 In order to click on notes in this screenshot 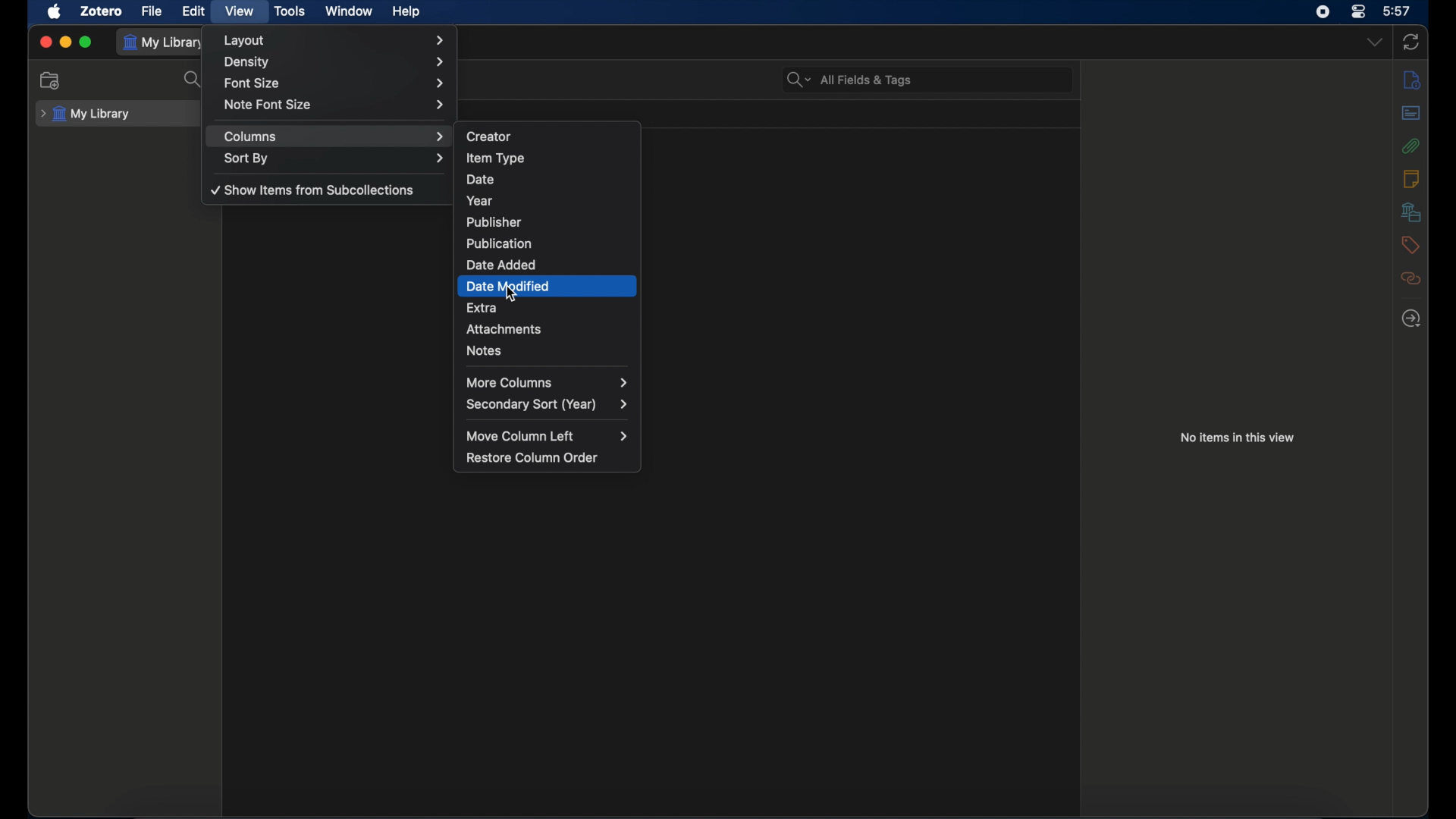, I will do `click(546, 350)`.